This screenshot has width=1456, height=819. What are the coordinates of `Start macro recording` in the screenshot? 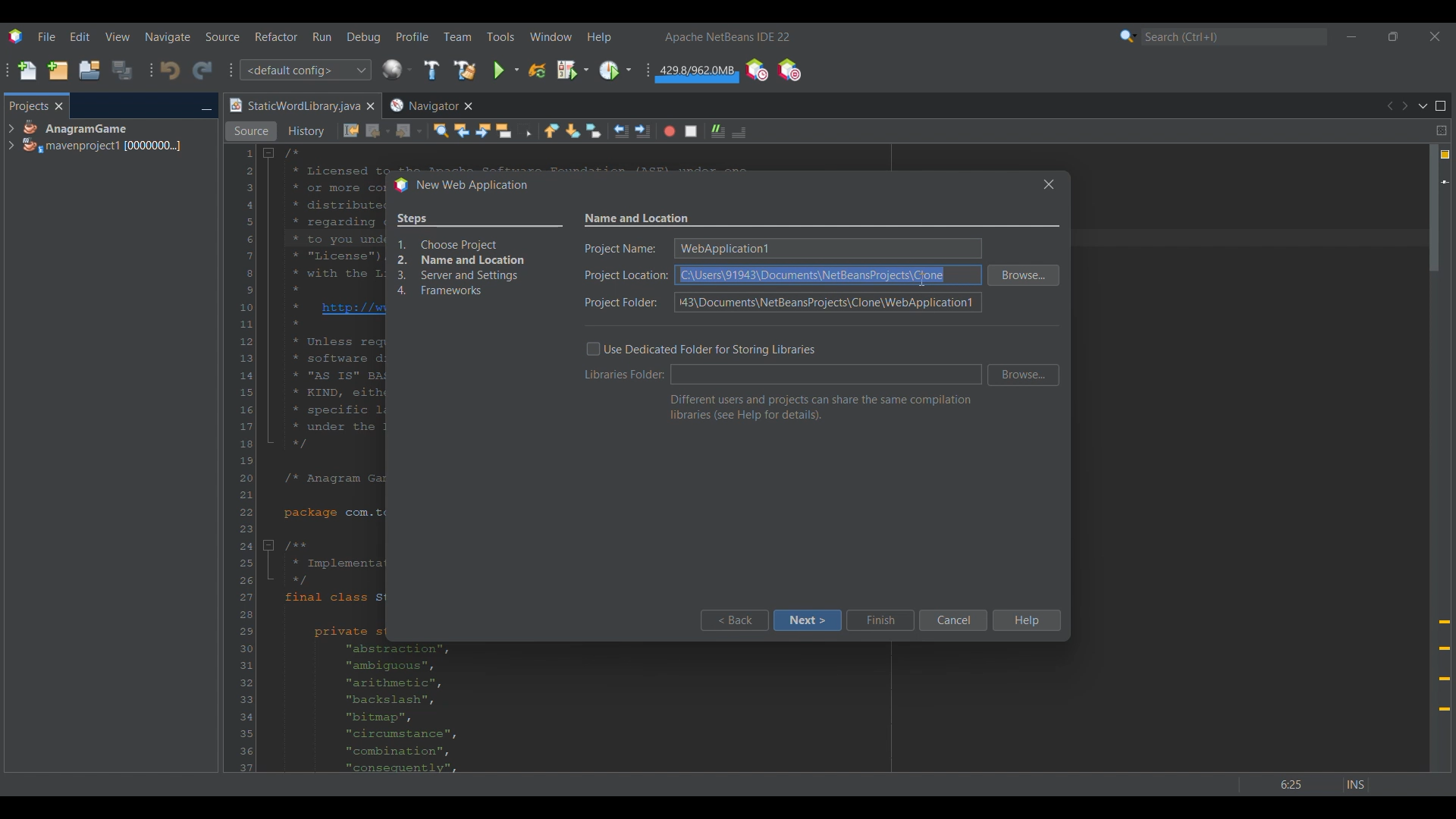 It's located at (670, 131).